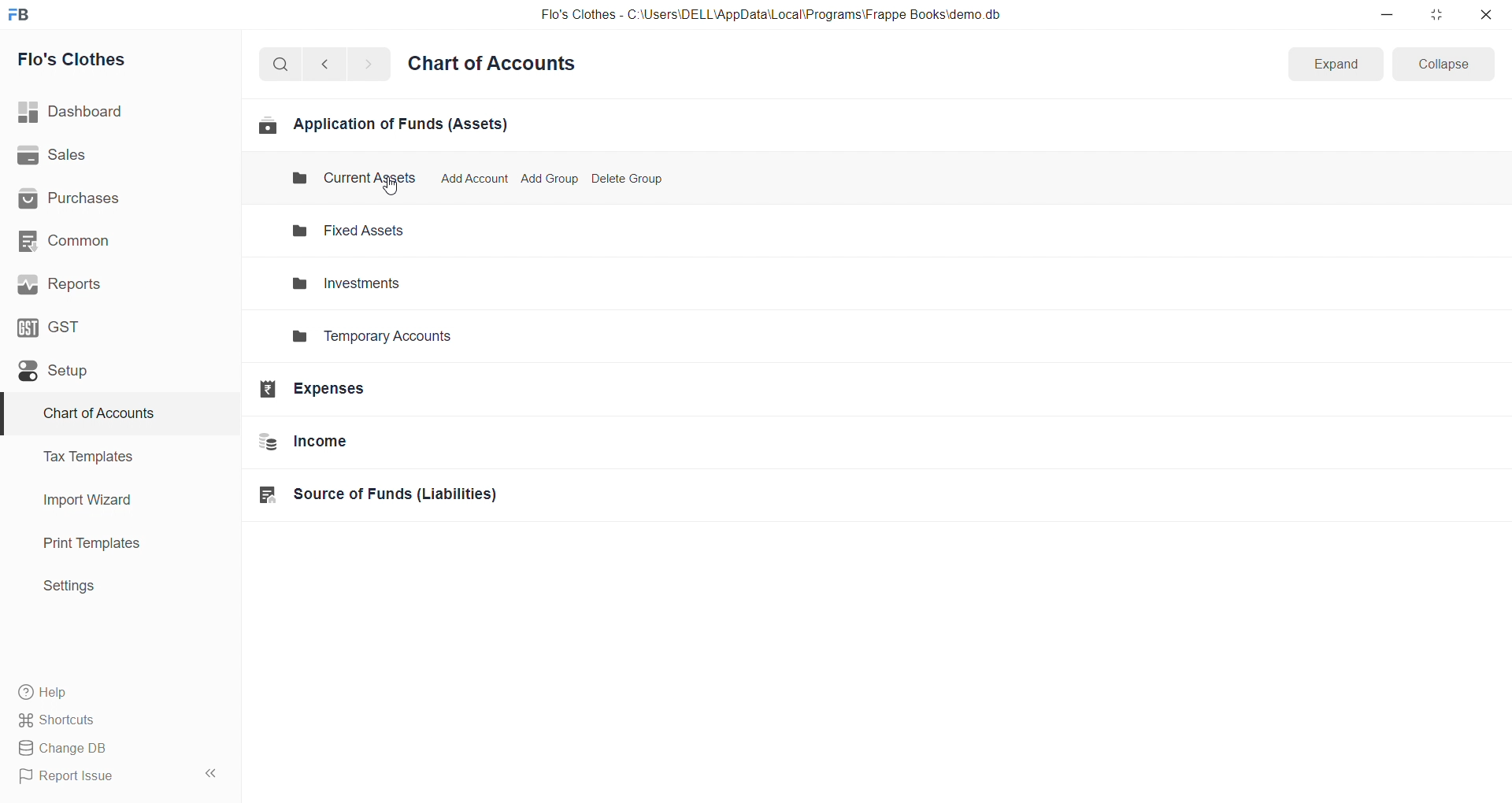  I want to click on Purchases, so click(113, 199).